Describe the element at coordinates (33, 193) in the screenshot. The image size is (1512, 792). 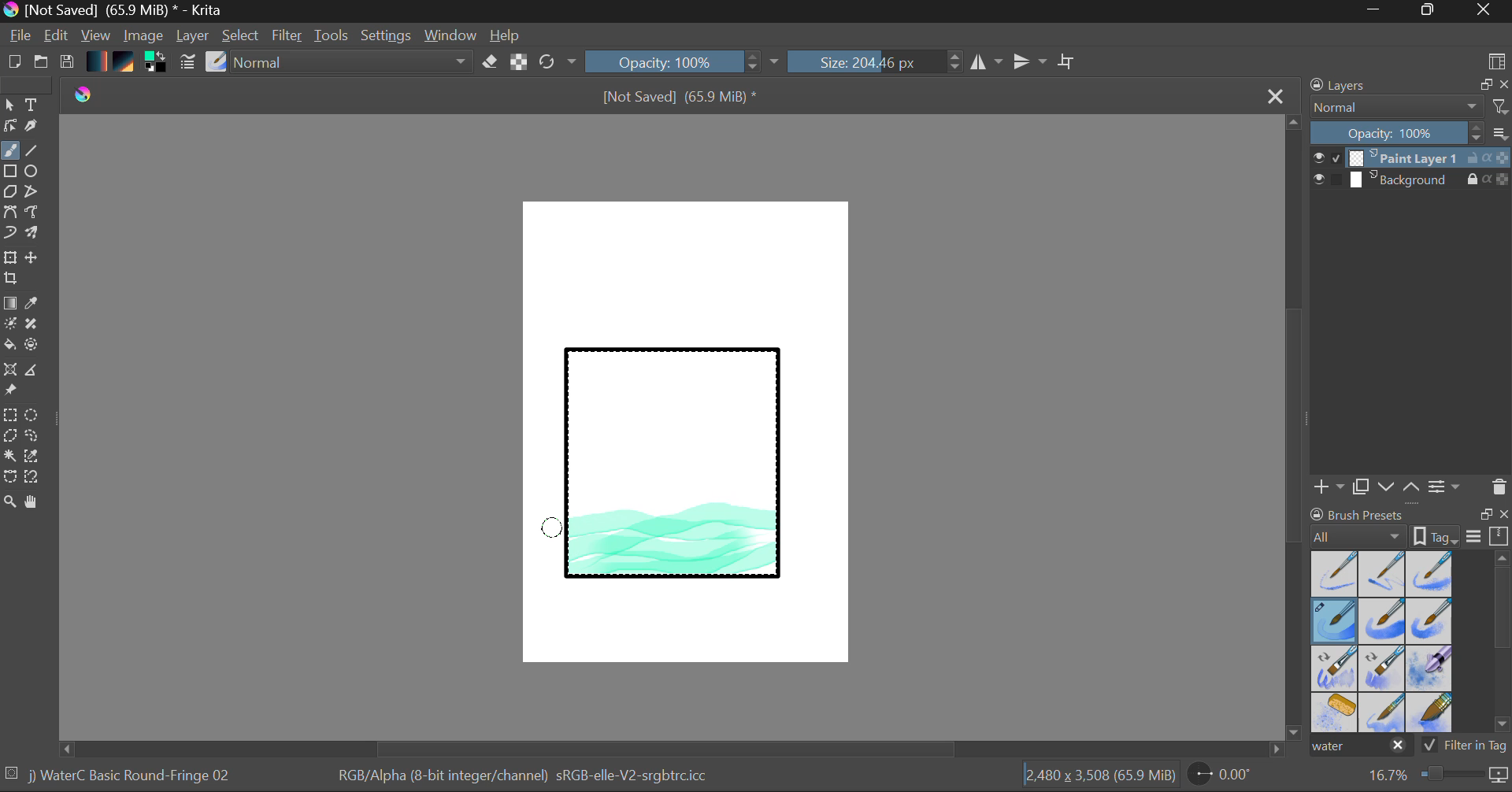
I see `Polyline` at that location.